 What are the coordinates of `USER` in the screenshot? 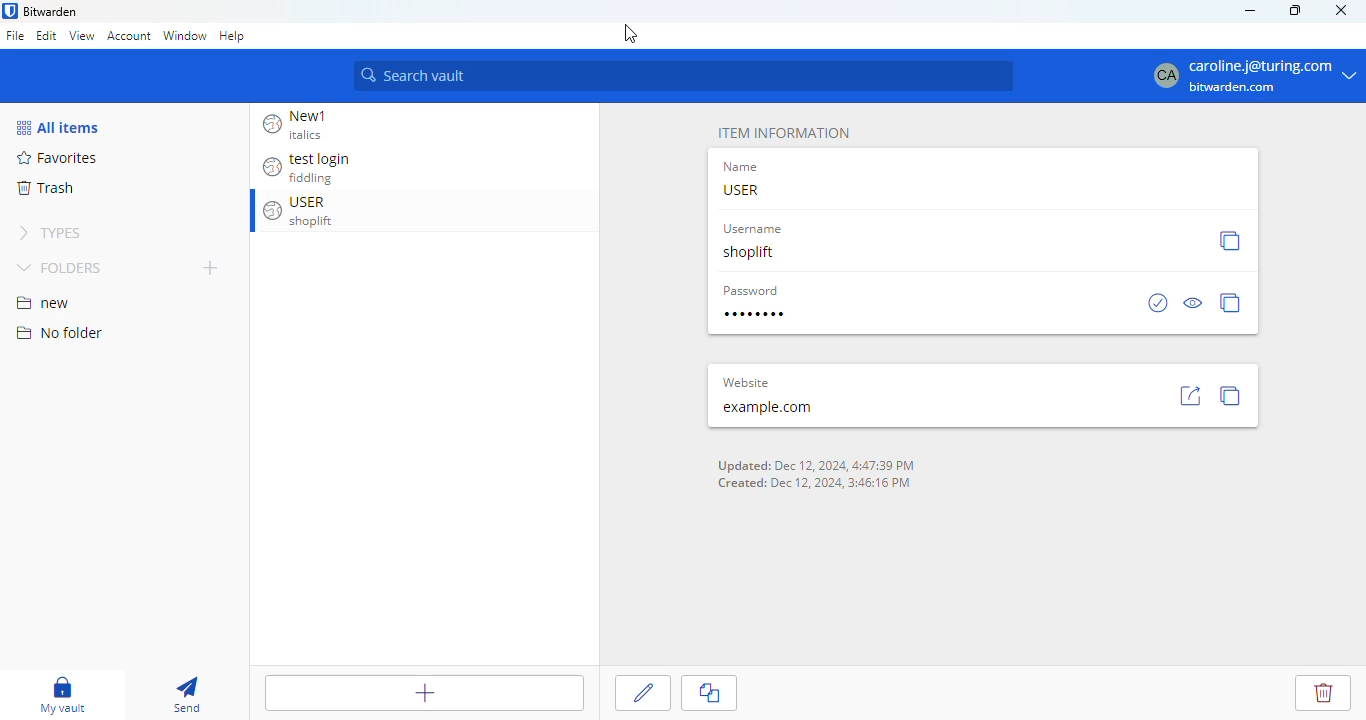 It's located at (746, 190).